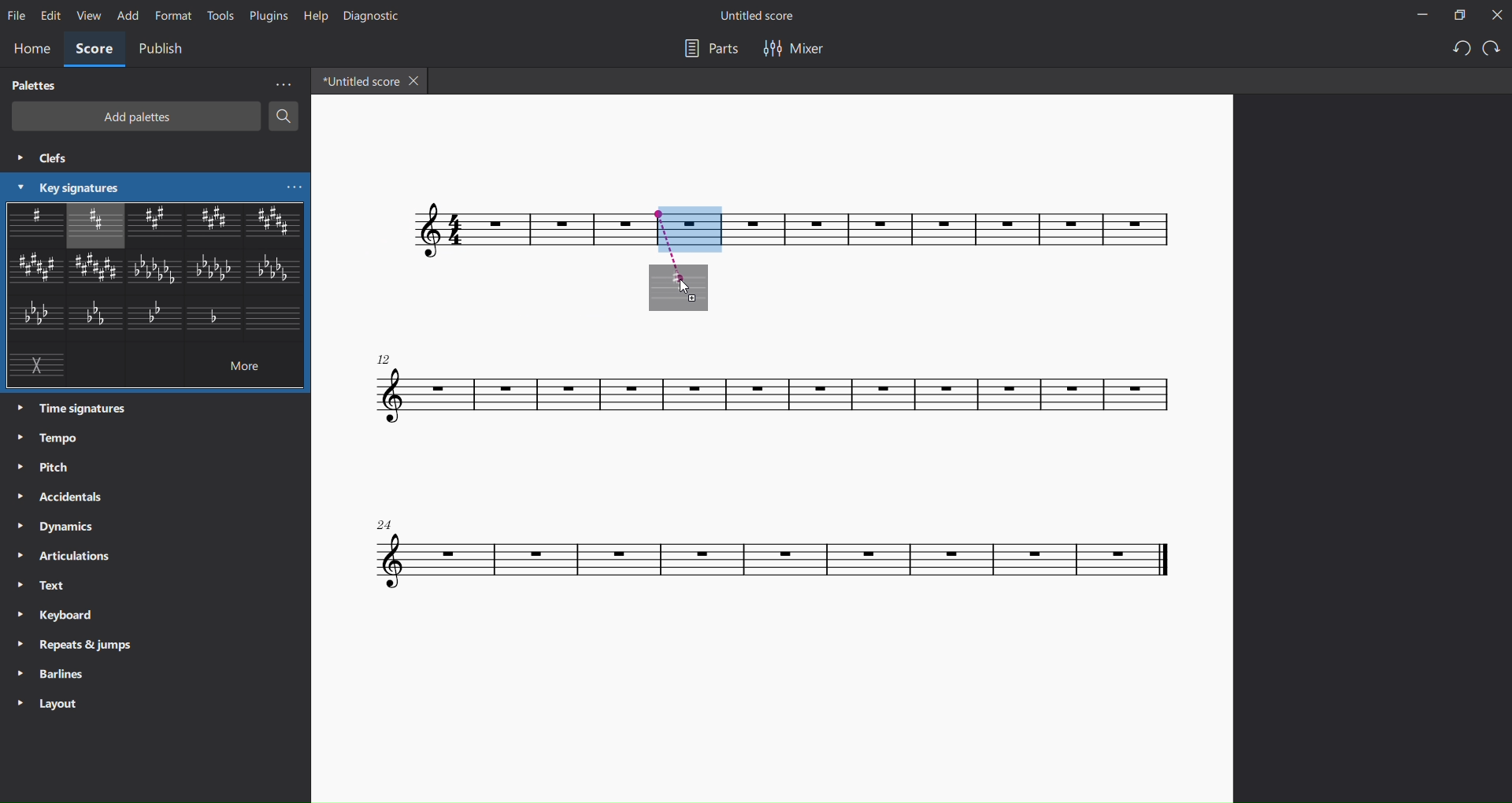 The height and width of the screenshot is (803, 1512). What do you see at coordinates (313, 15) in the screenshot?
I see `help` at bounding box center [313, 15].